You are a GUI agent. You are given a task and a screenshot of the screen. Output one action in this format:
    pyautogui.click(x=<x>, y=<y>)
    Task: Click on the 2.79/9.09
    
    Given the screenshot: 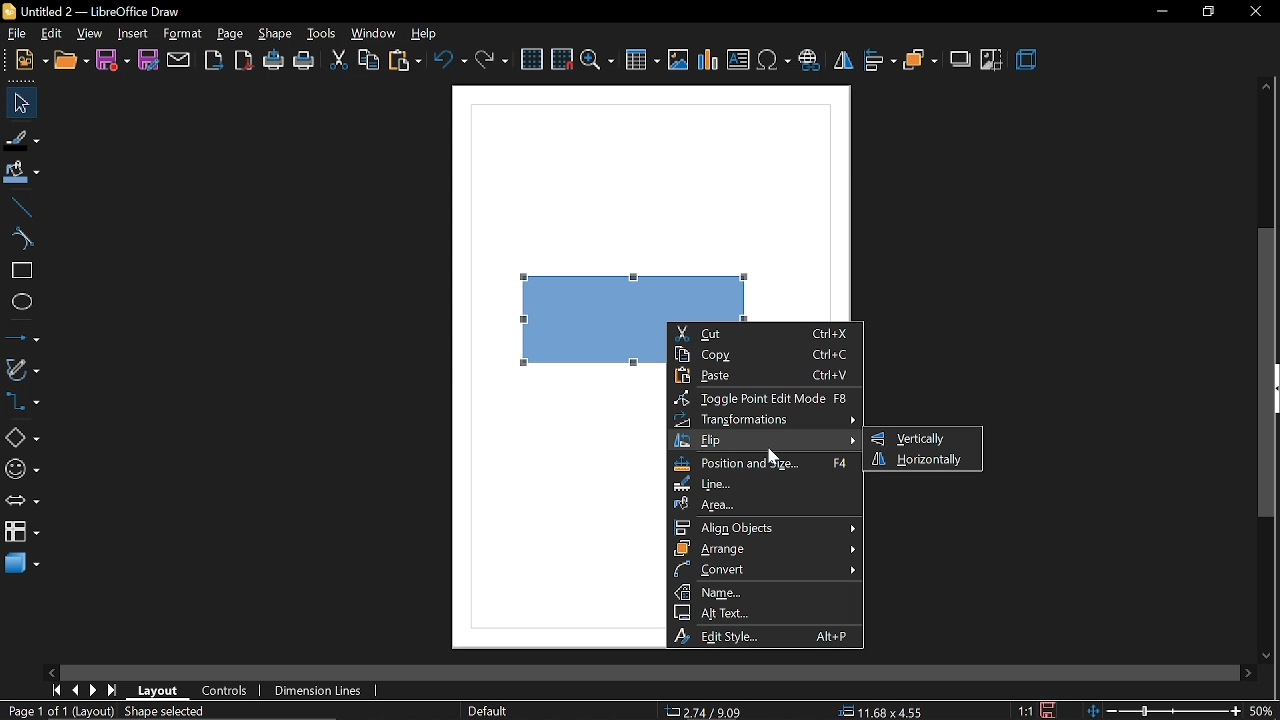 What is the action you would take?
    pyautogui.click(x=707, y=713)
    